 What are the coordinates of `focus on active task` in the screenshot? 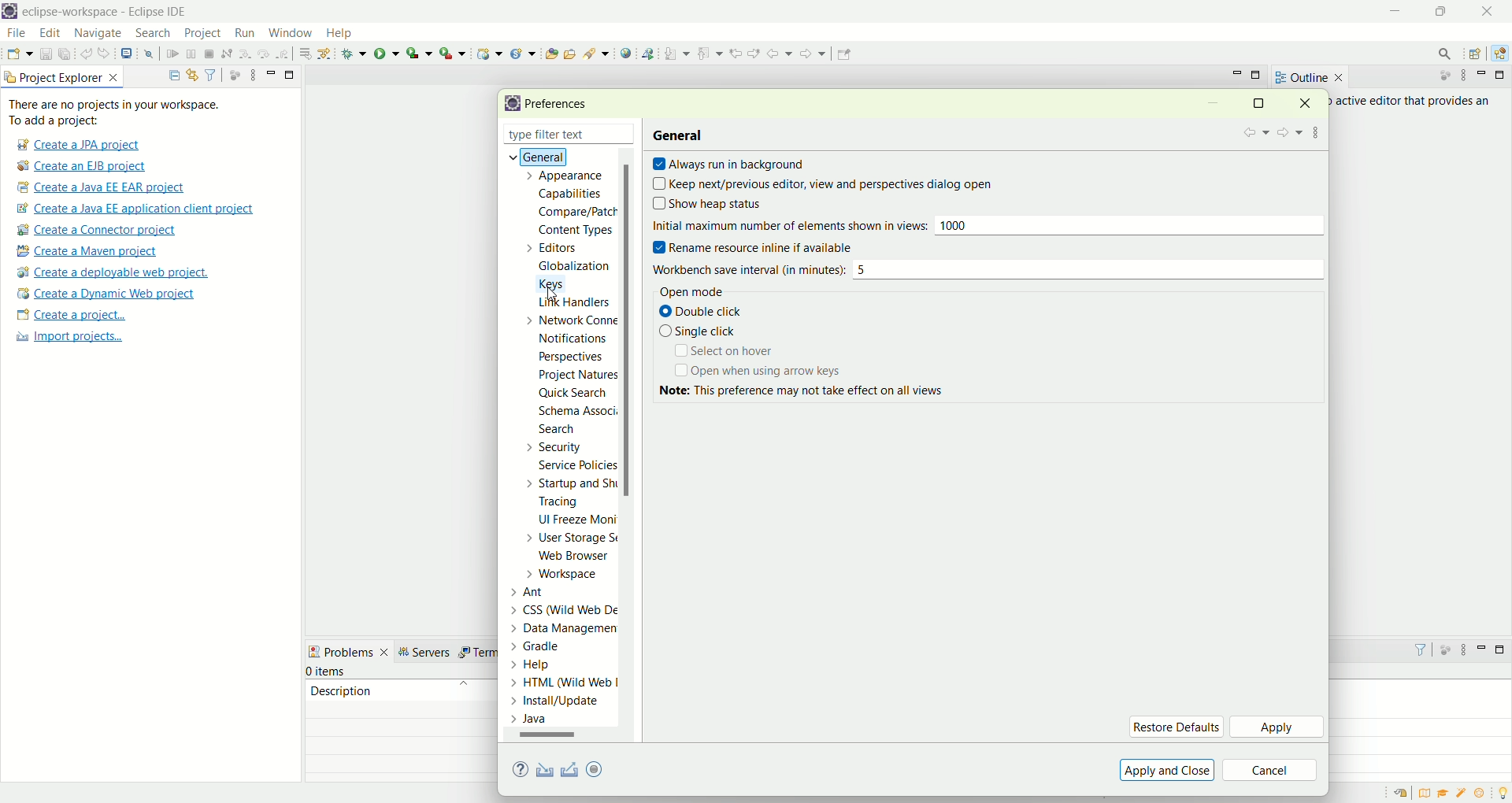 It's located at (1437, 76).